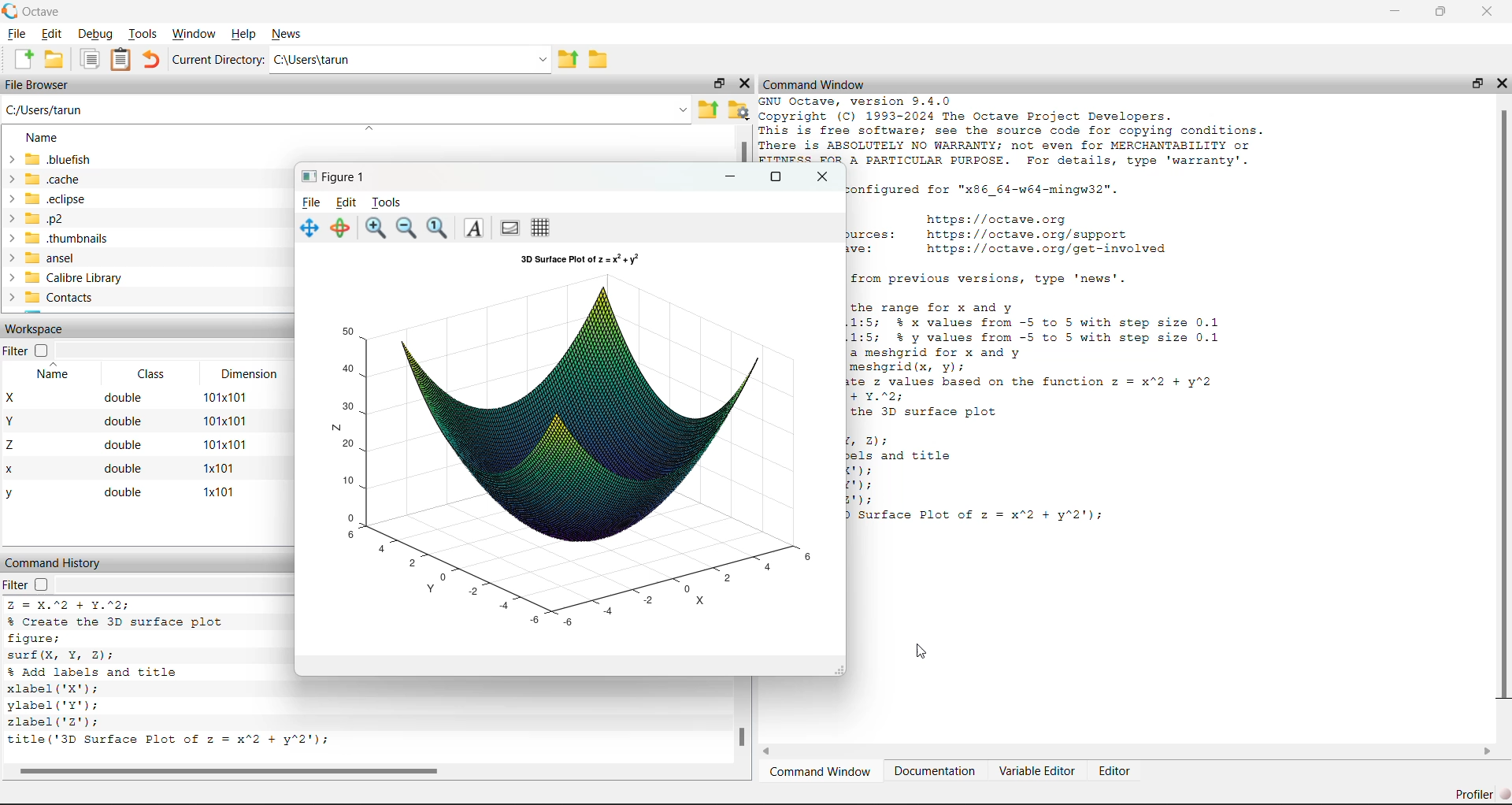 The width and height of the screenshot is (1512, 805). Describe the element at coordinates (814, 83) in the screenshot. I see `Command Window` at that location.